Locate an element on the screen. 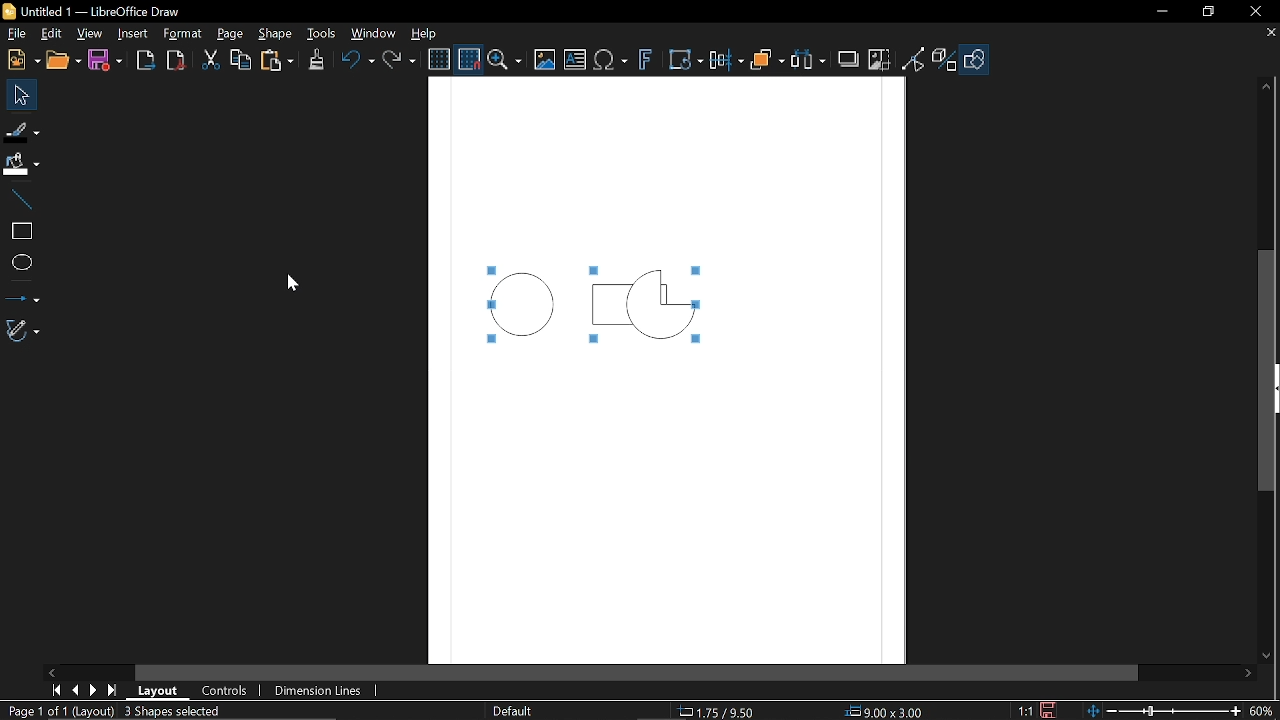 Image resolution: width=1280 pixels, height=720 pixels. Lines and arrows is located at coordinates (22, 297).